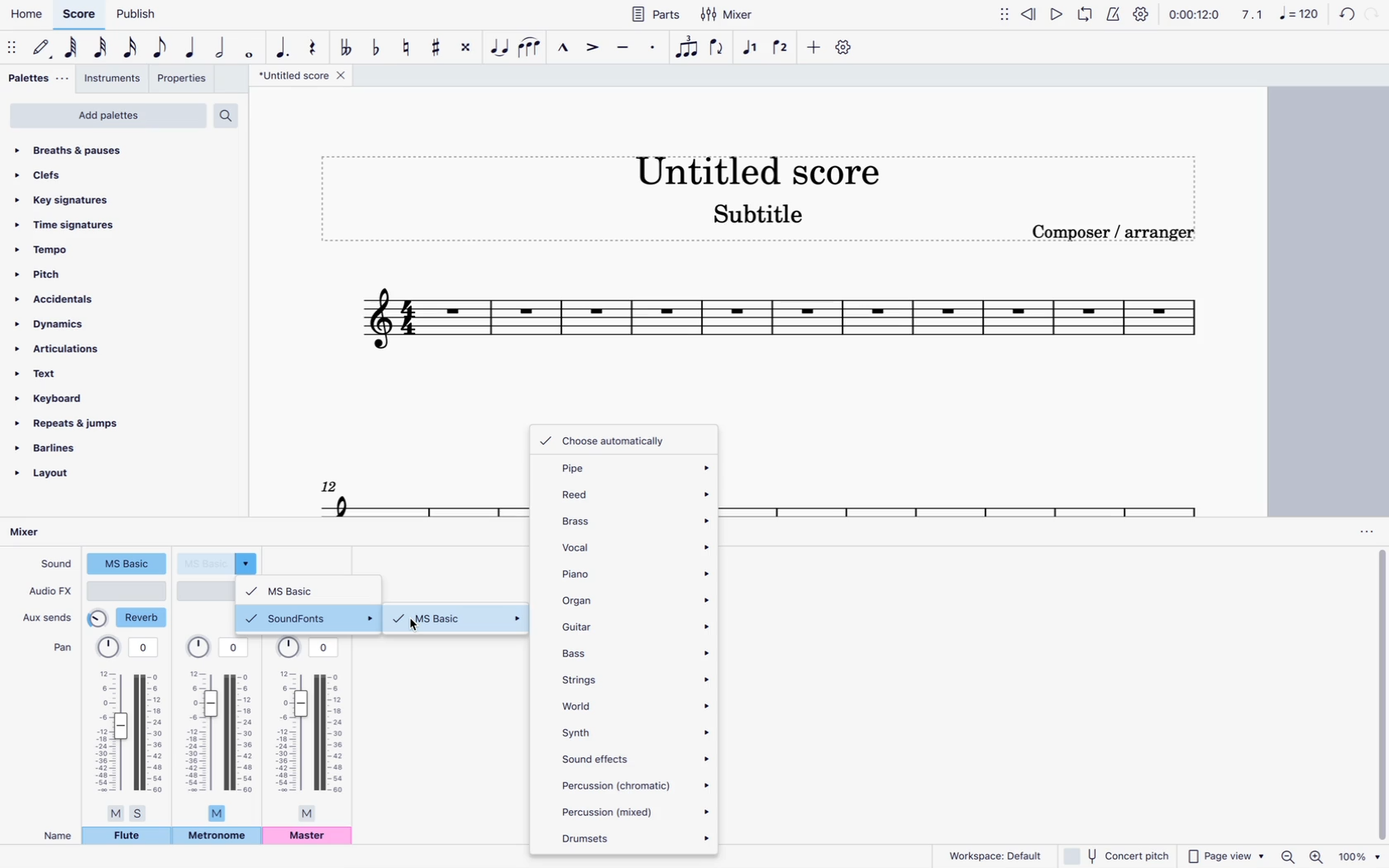 The width and height of the screenshot is (1389, 868). I want to click on ms basic, so click(313, 589).